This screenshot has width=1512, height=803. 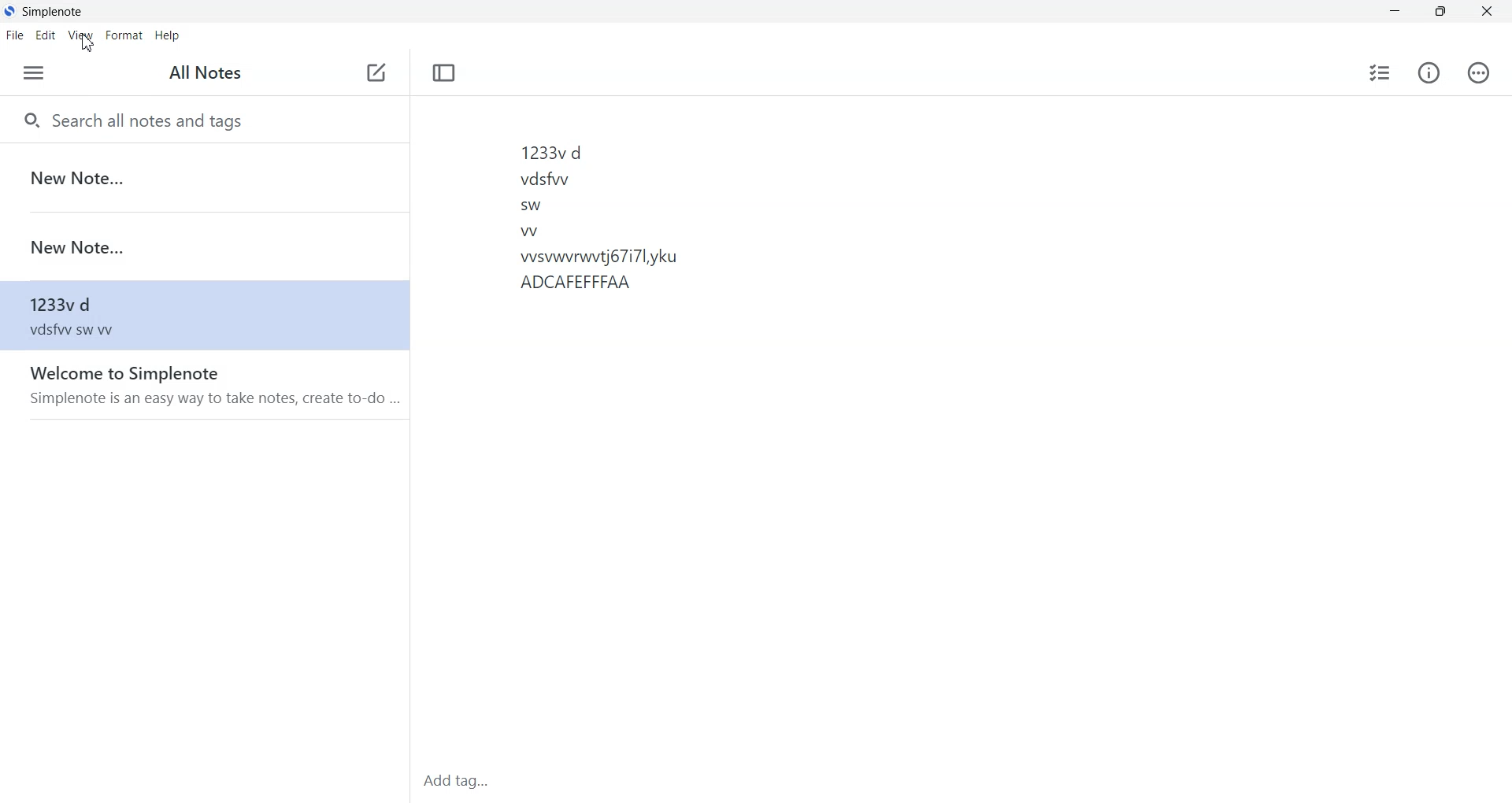 What do you see at coordinates (199, 72) in the screenshot?
I see `All notes` at bounding box center [199, 72].